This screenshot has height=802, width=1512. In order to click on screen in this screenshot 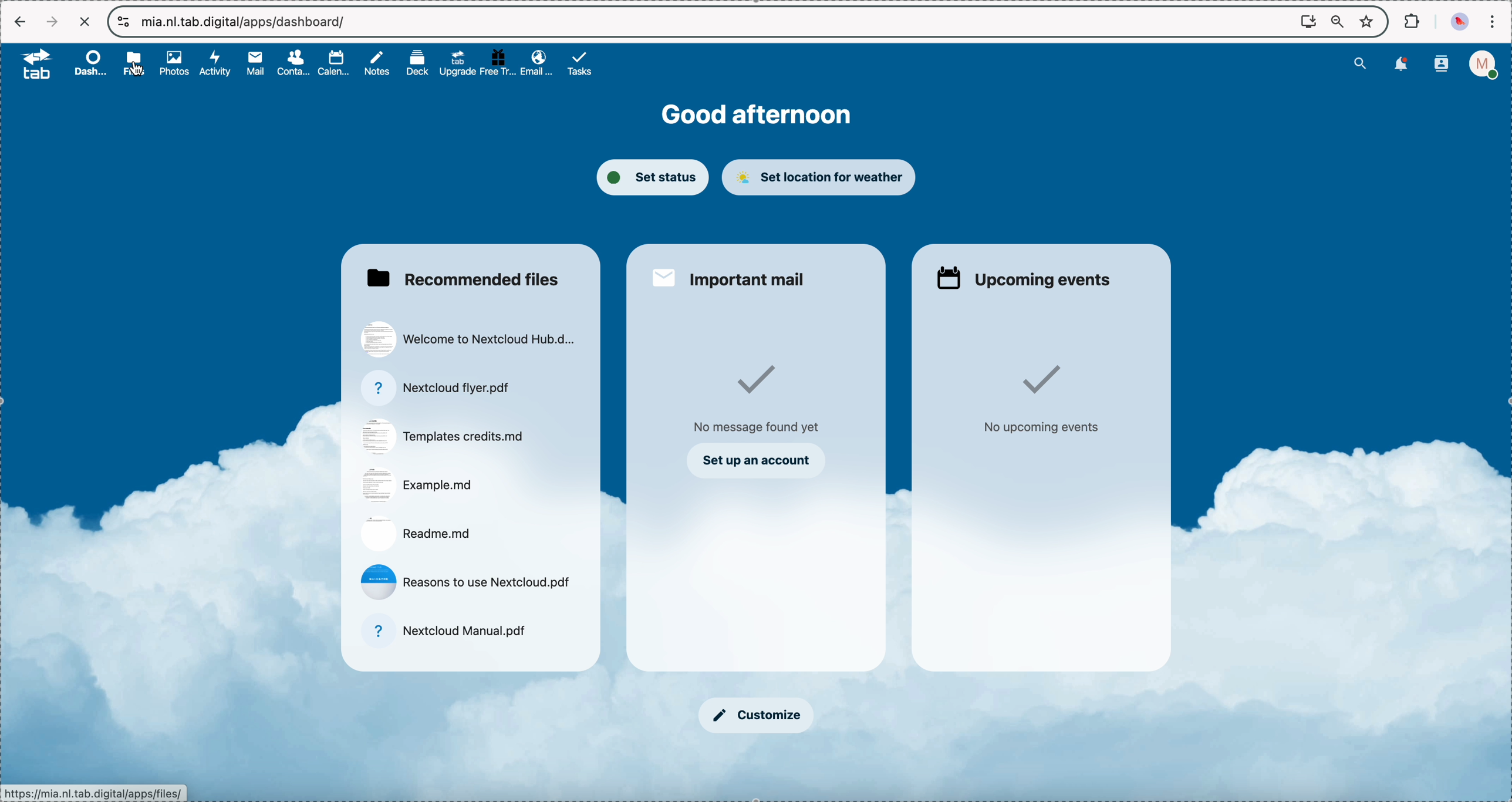, I will do `click(1308, 21)`.